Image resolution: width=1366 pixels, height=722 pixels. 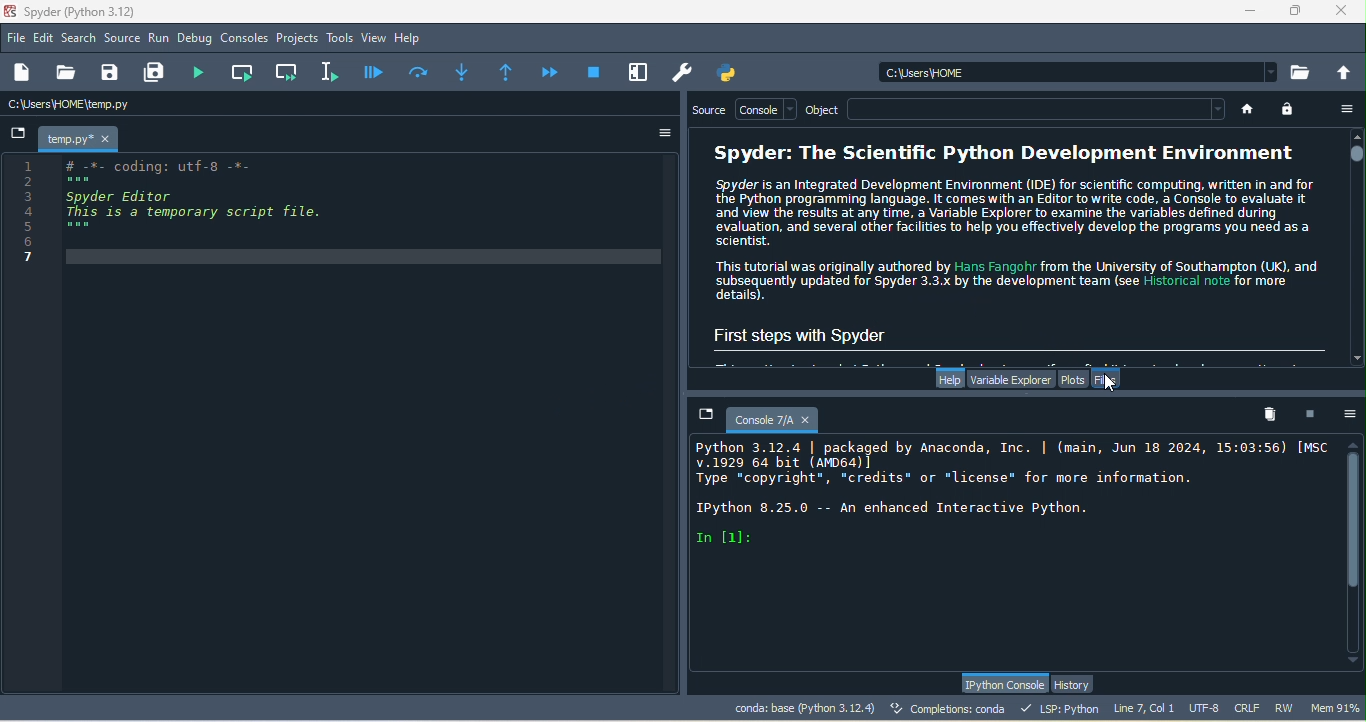 What do you see at coordinates (197, 40) in the screenshot?
I see `debug` at bounding box center [197, 40].